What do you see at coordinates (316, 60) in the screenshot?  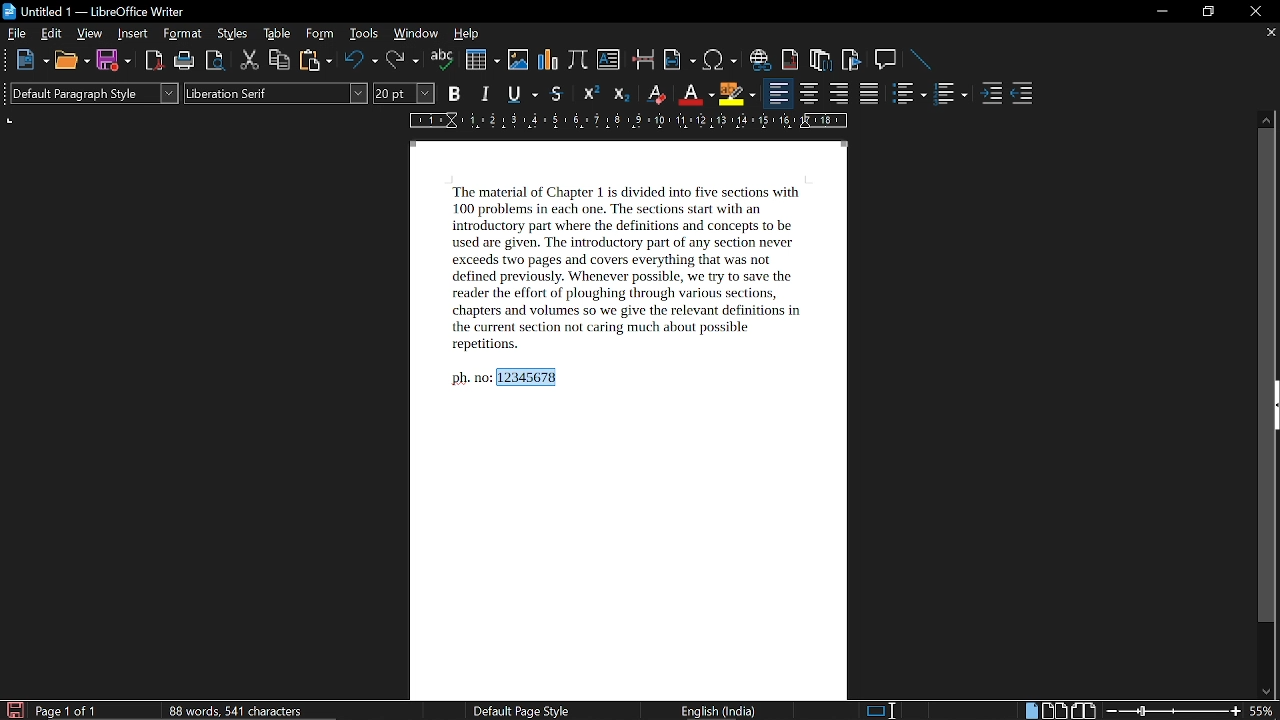 I see `paste` at bounding box center [316, 60].